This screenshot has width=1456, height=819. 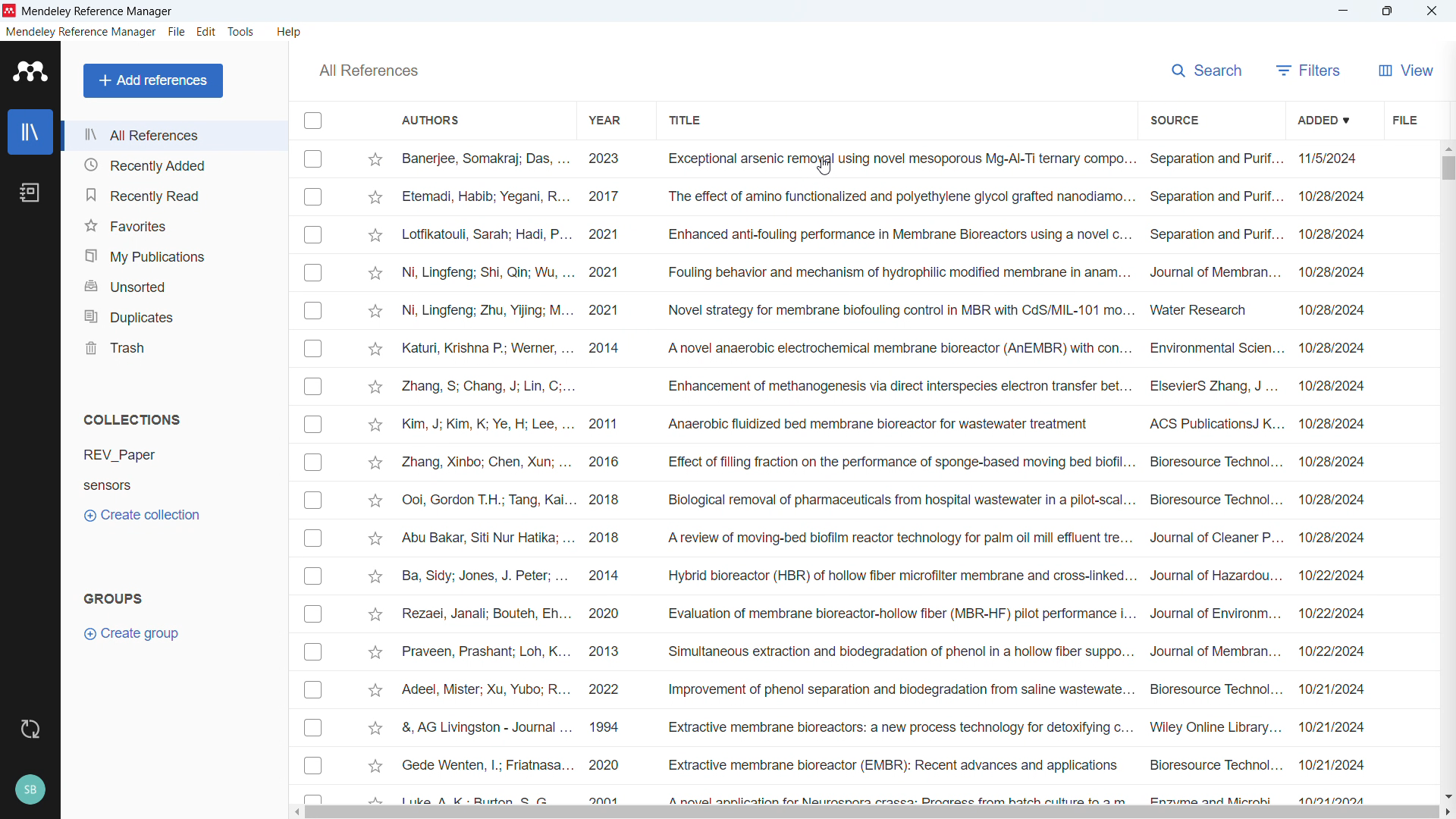 What do you see at coordinates (480, 761) in the screenshot?
I see `gede wenten,i friatnasa` at bounding box center [480, 761].